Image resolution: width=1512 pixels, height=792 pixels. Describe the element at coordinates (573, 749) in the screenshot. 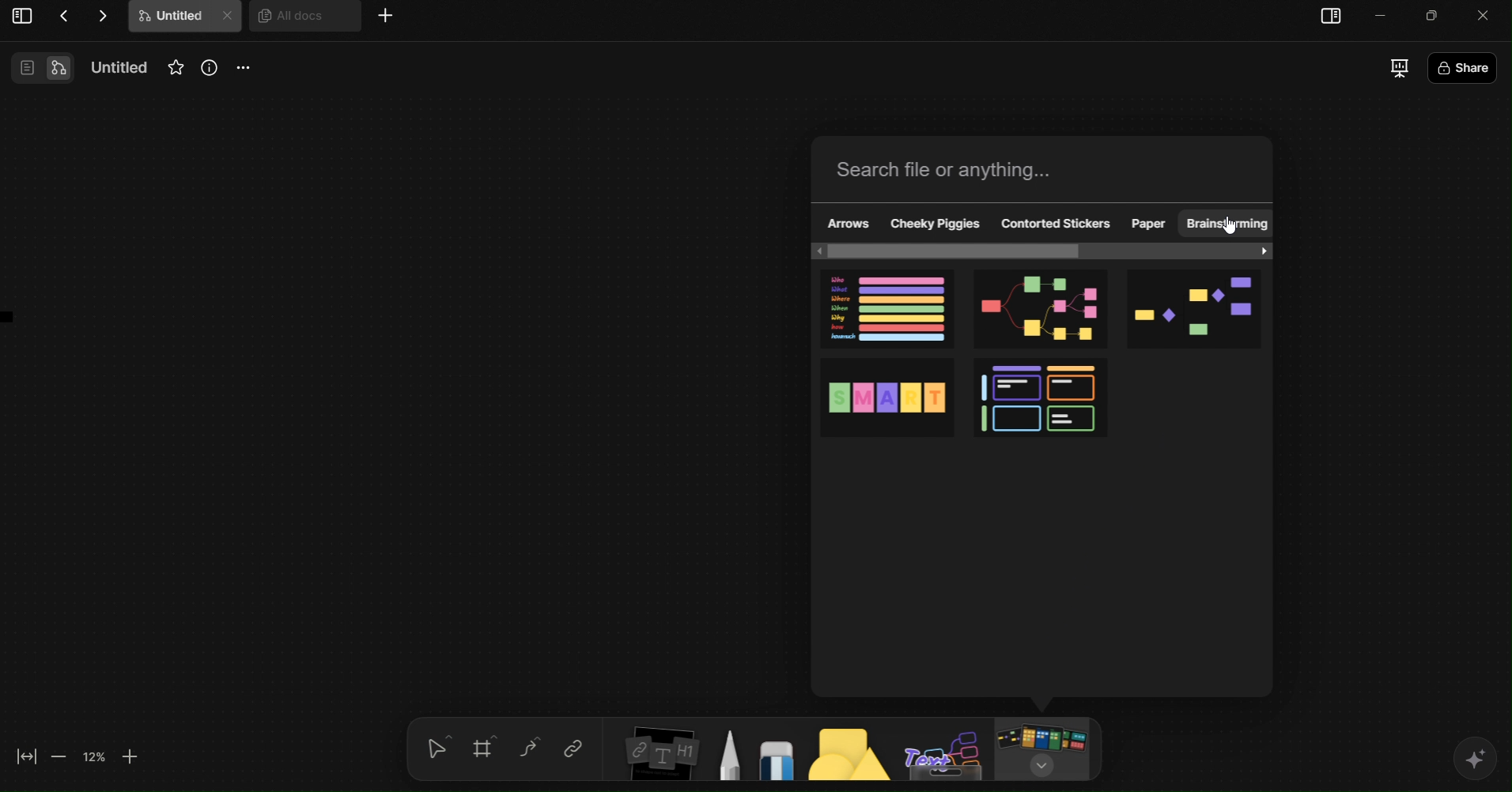

I see `Link tool` at that location.